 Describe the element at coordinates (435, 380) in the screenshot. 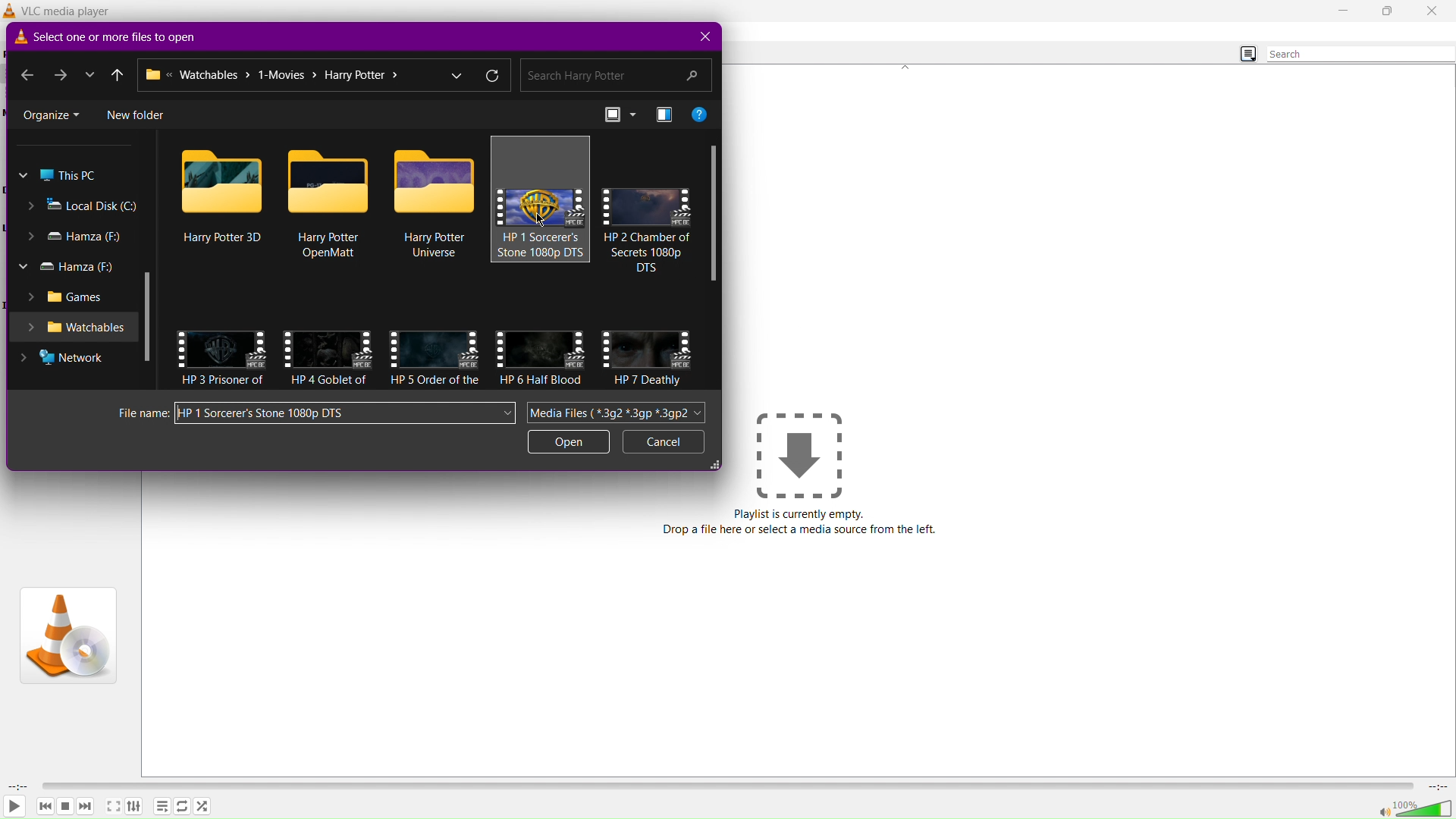

I see `harry potter ` at that location.